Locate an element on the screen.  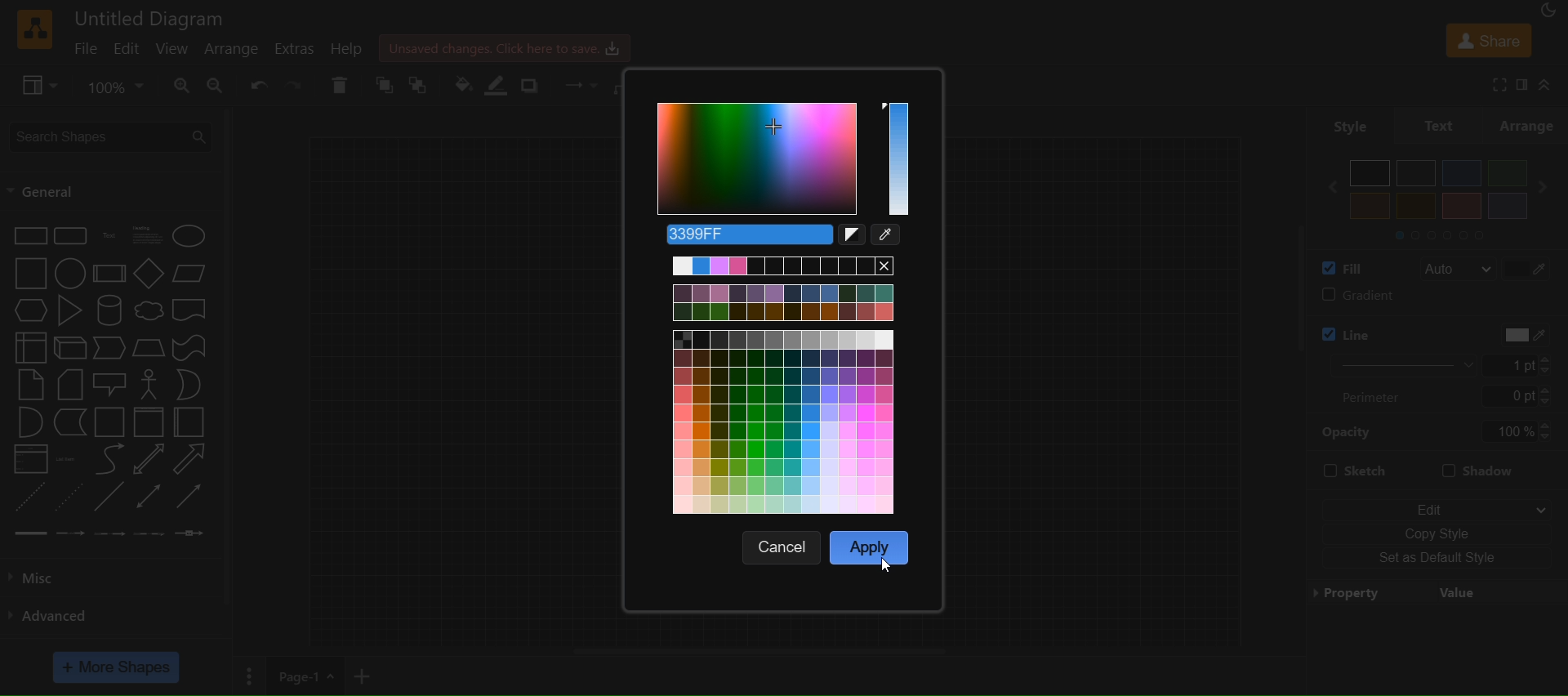
edit is located at coordinates (1436, 505).